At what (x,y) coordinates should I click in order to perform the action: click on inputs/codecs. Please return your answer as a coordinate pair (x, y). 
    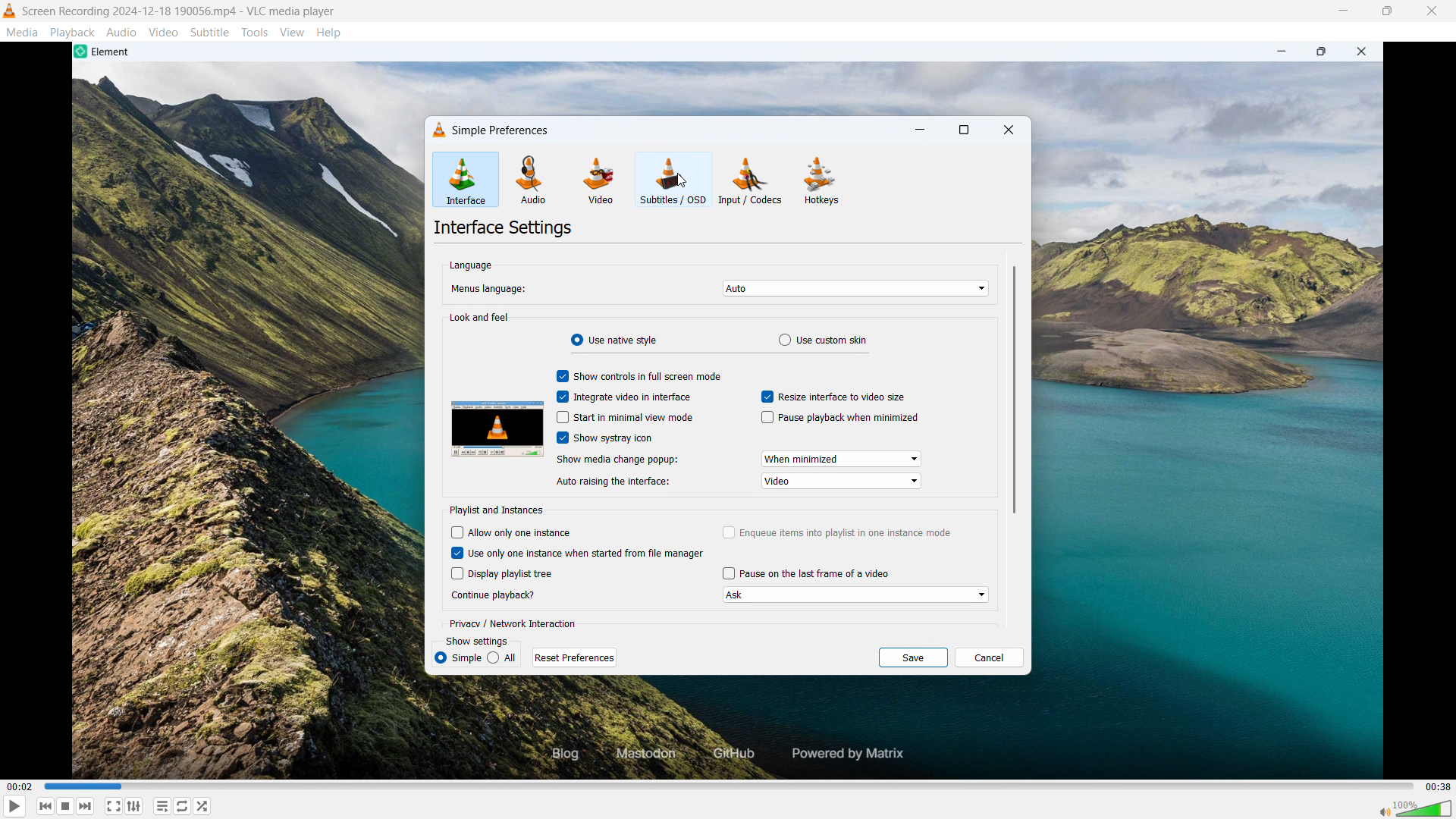
    Looking at the image, I should click on (752, 180).